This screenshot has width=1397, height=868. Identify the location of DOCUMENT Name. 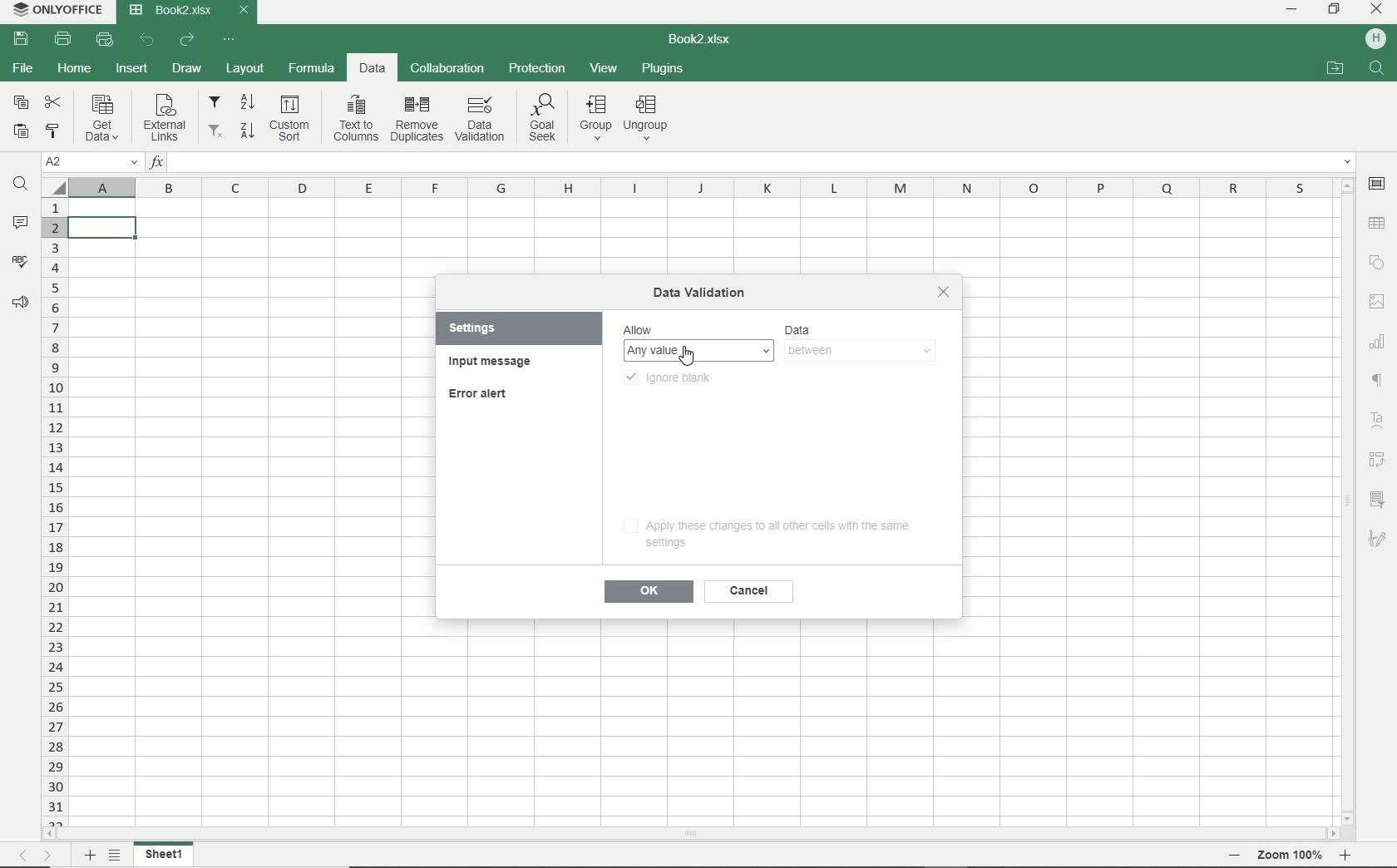
(170, 11).